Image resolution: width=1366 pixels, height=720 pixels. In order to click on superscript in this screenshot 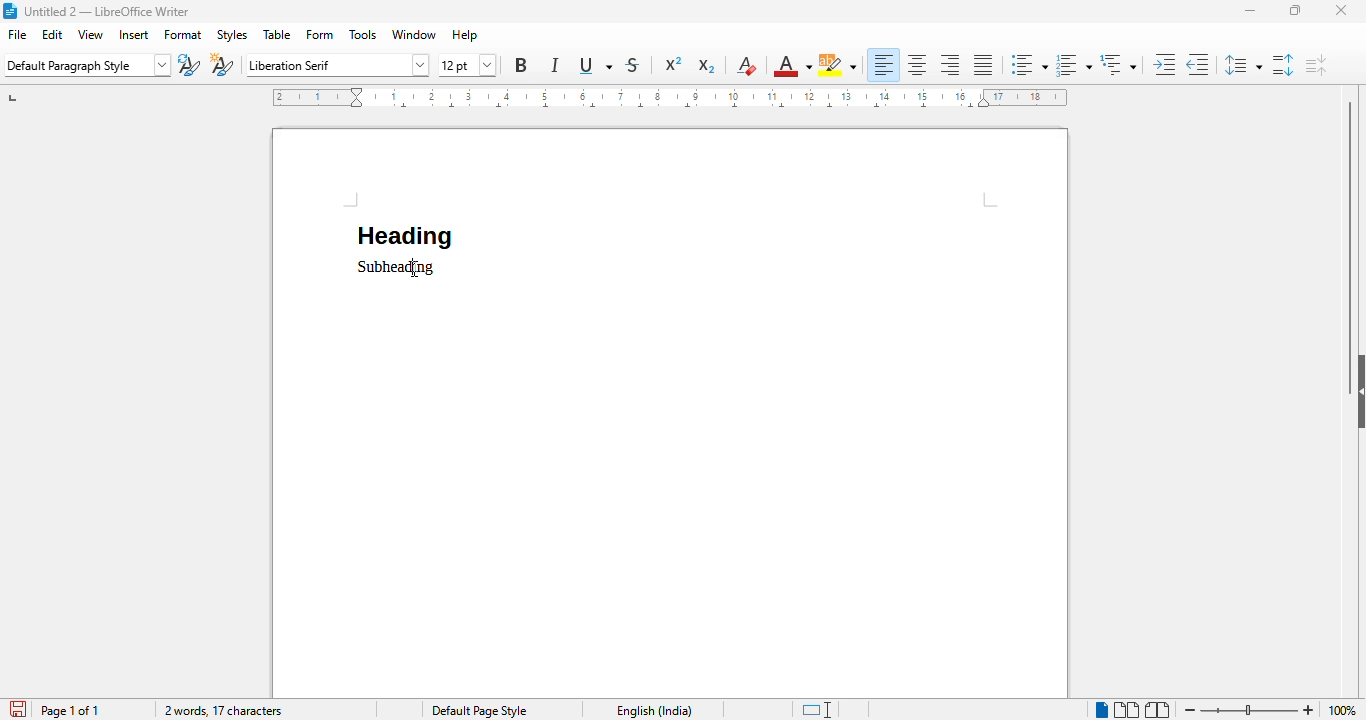, I will do `click(674, 63)`.